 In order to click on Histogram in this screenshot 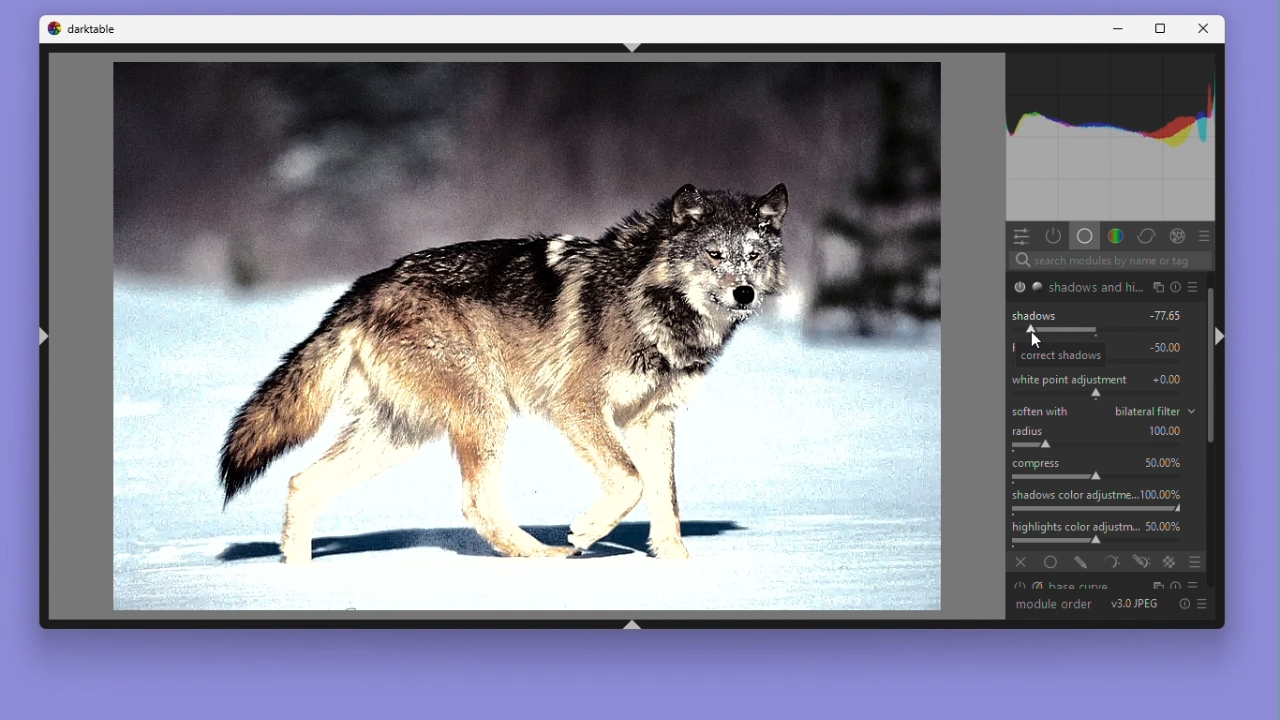, I will do `click(1114, 137)`.